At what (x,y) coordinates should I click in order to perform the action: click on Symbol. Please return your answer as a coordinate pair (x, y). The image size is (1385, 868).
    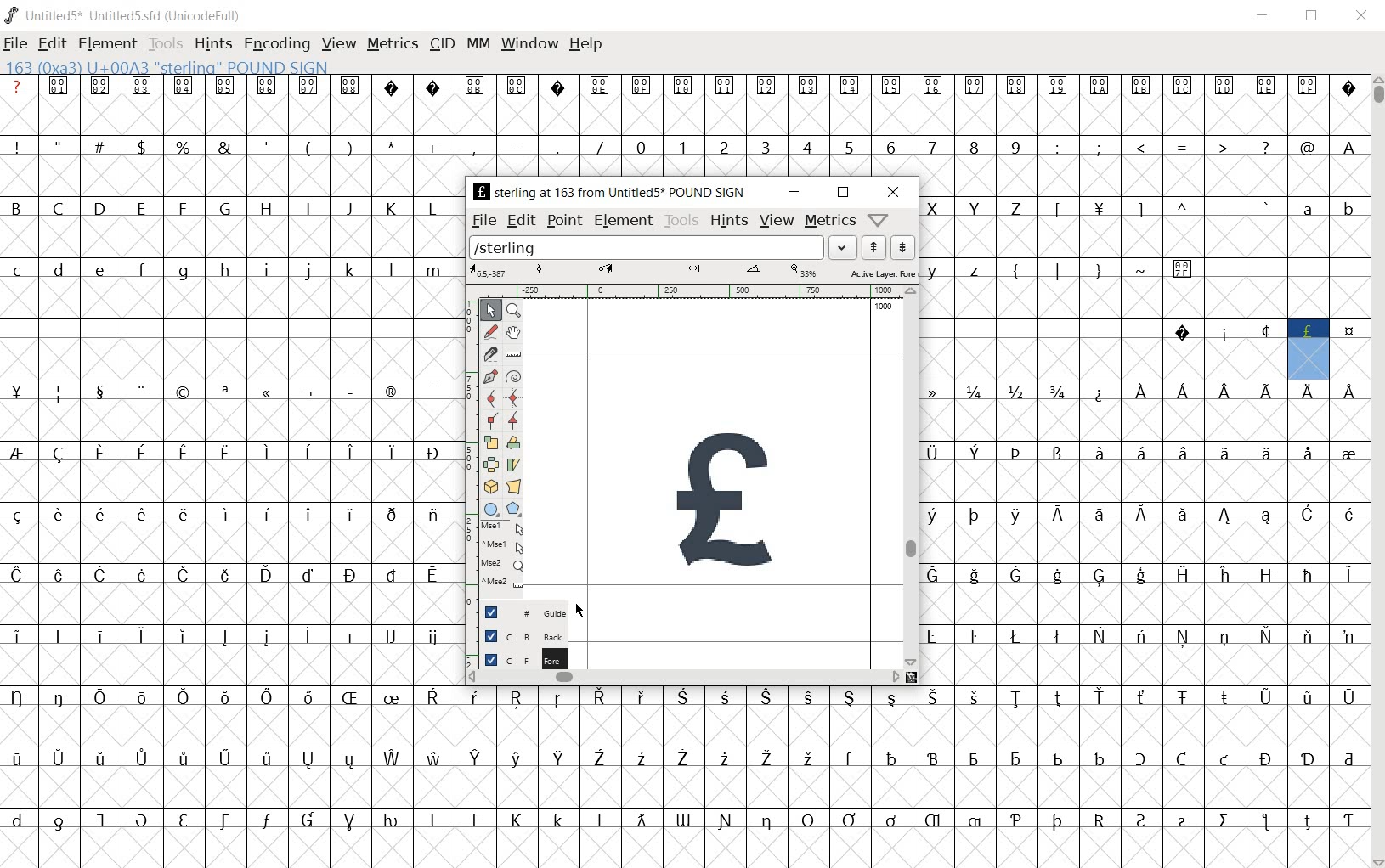
    Looking at the image, I should click on (852, 86).